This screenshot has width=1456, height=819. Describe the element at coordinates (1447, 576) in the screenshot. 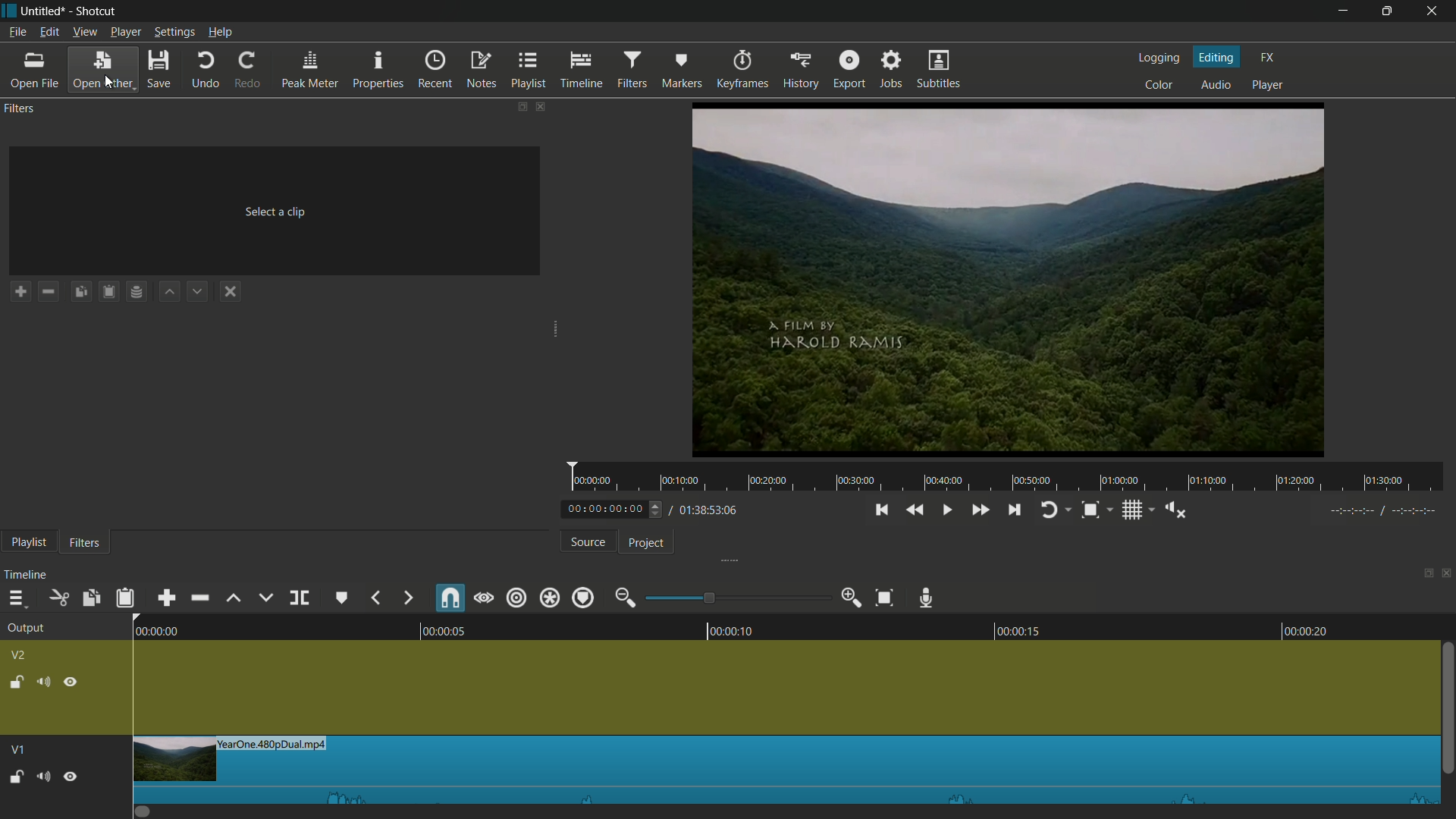

I see `close timeline` at that location.